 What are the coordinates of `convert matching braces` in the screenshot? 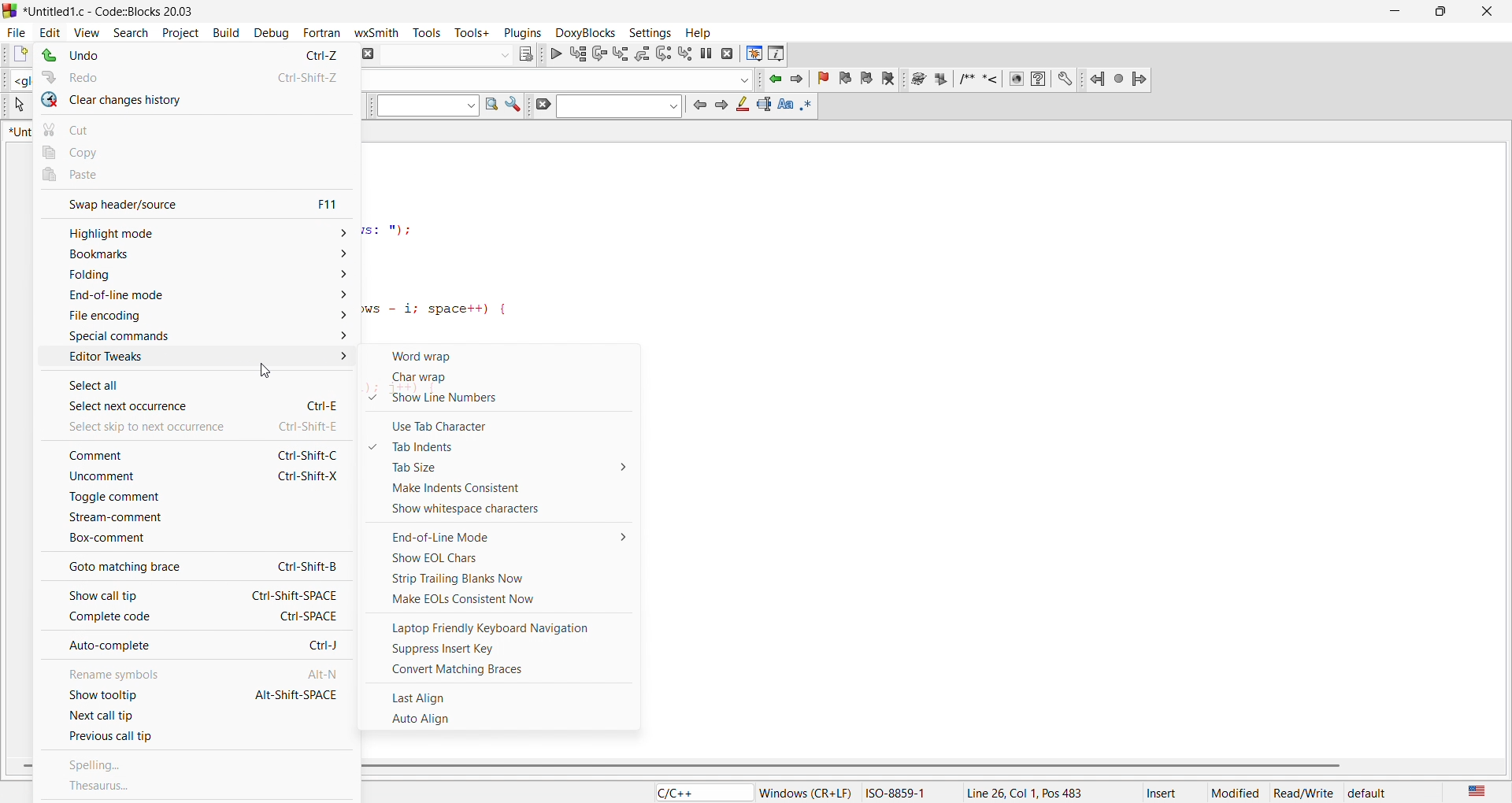 It's located at (505, 672).